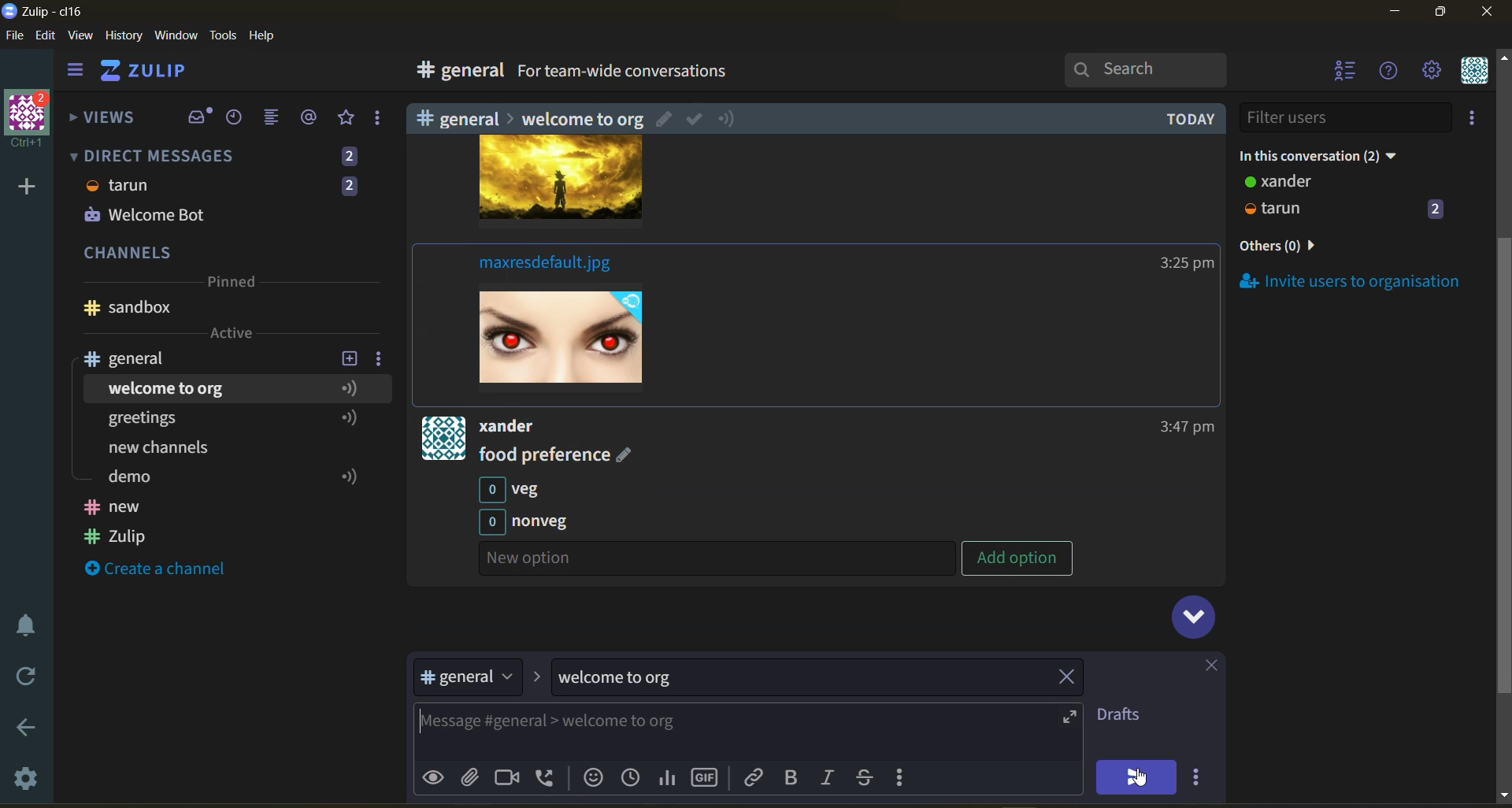 The width and height of the screenshot is (1512, 808). I want to click on edit, so click(46, 37).